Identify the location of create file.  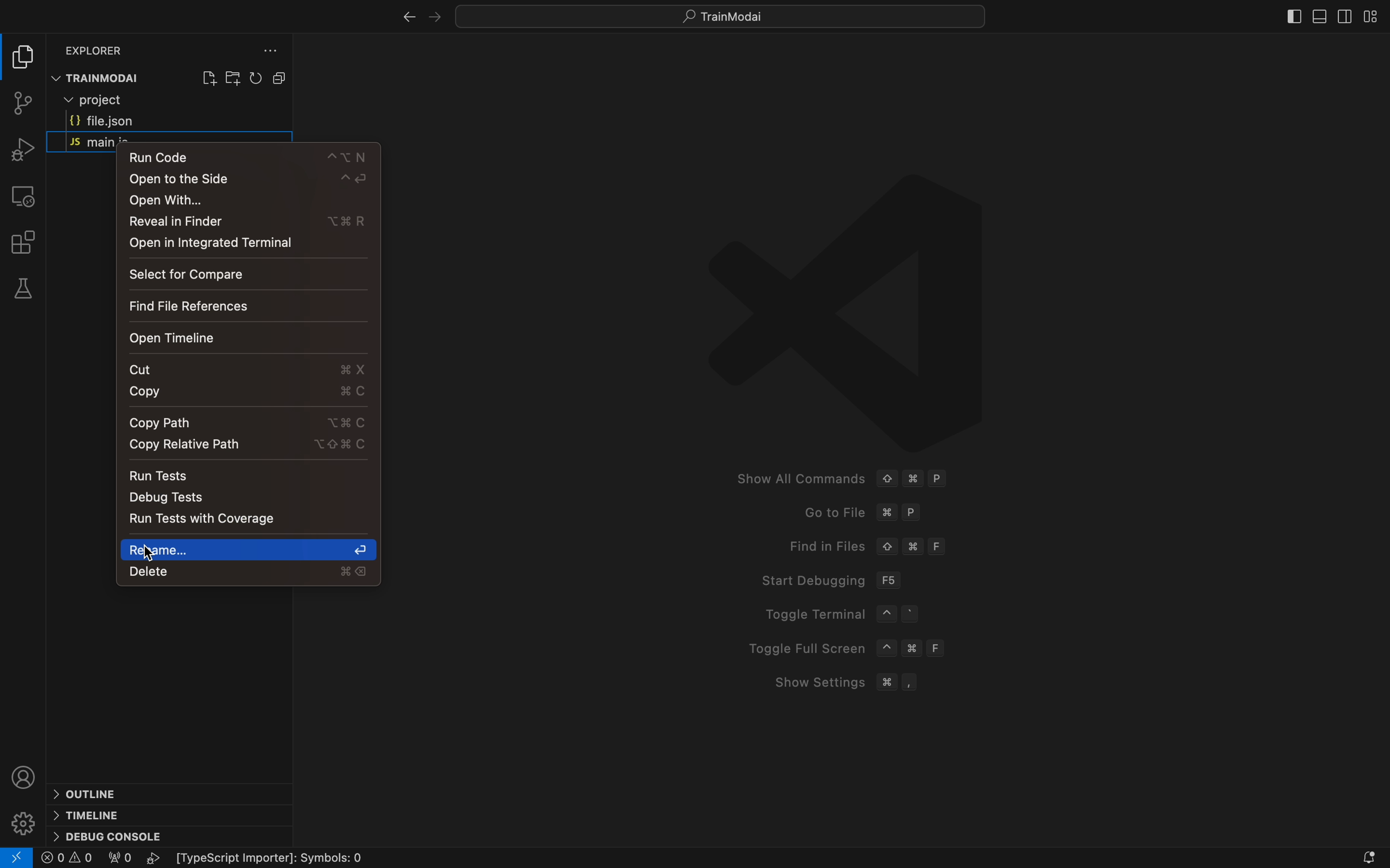
(208, 78).